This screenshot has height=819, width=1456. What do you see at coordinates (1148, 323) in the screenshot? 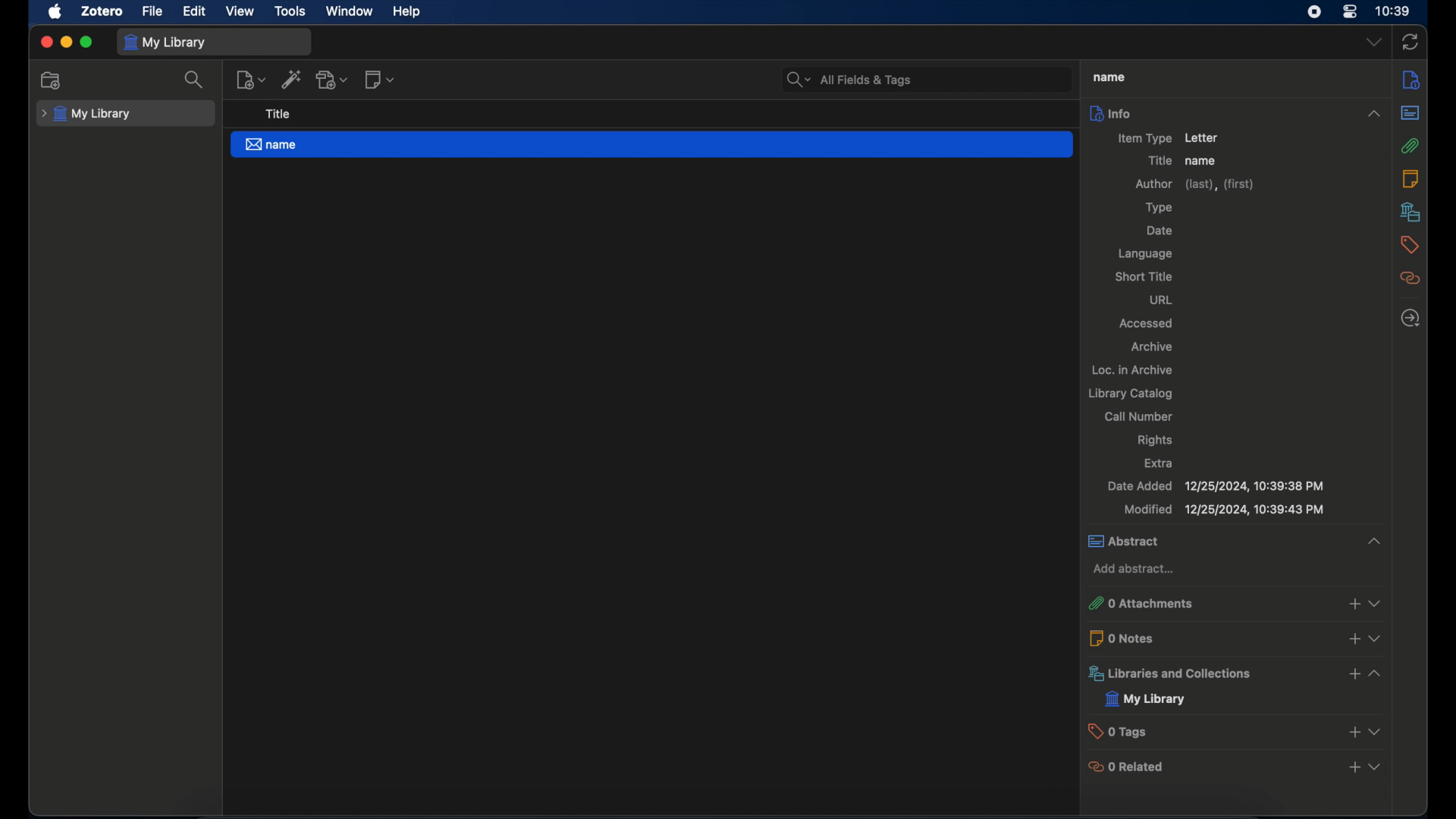
I see `accessed` at bounding box center [1148, 323].